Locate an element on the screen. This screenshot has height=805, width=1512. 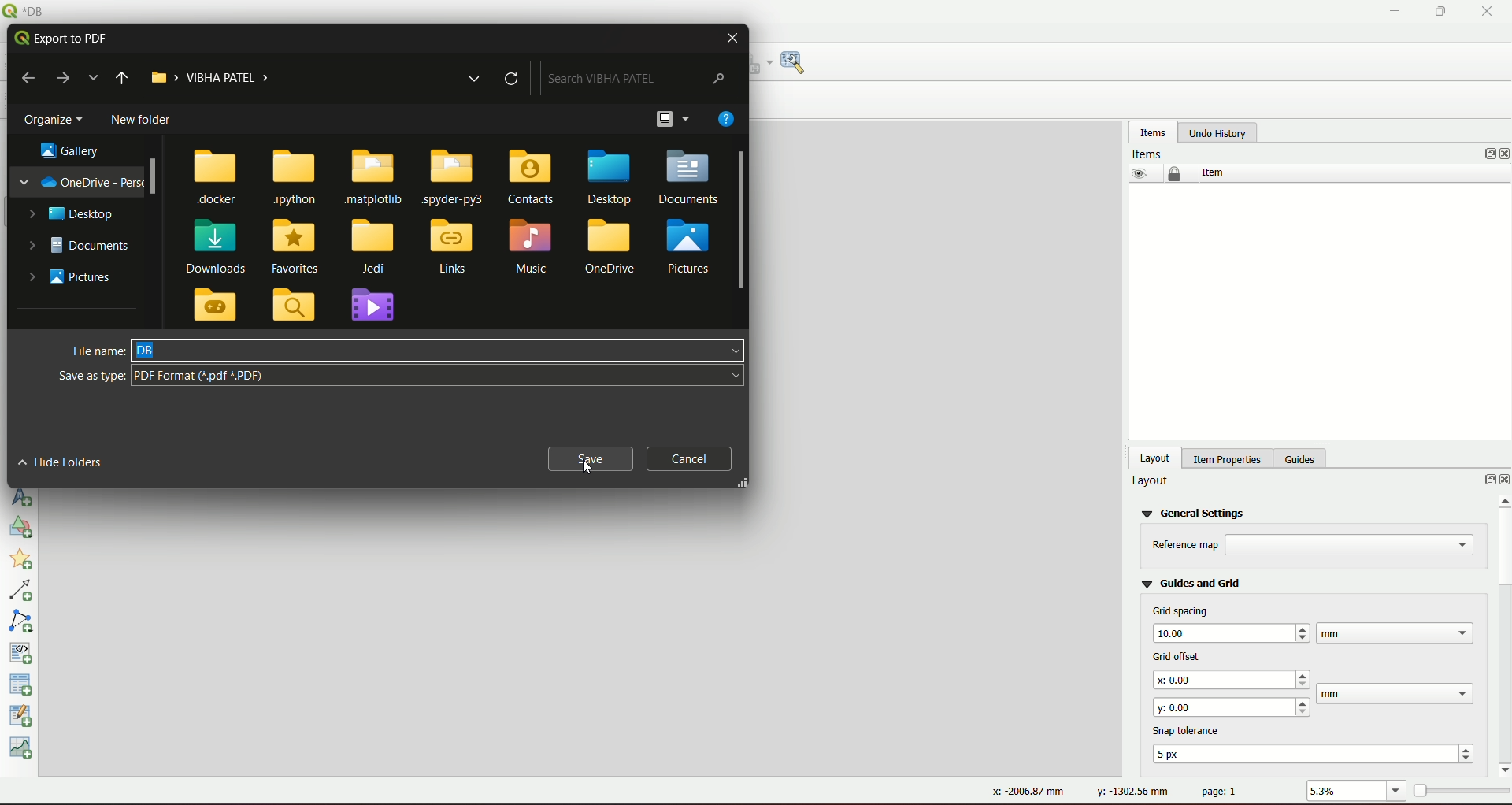
item is located at coordinates (1211, 172).